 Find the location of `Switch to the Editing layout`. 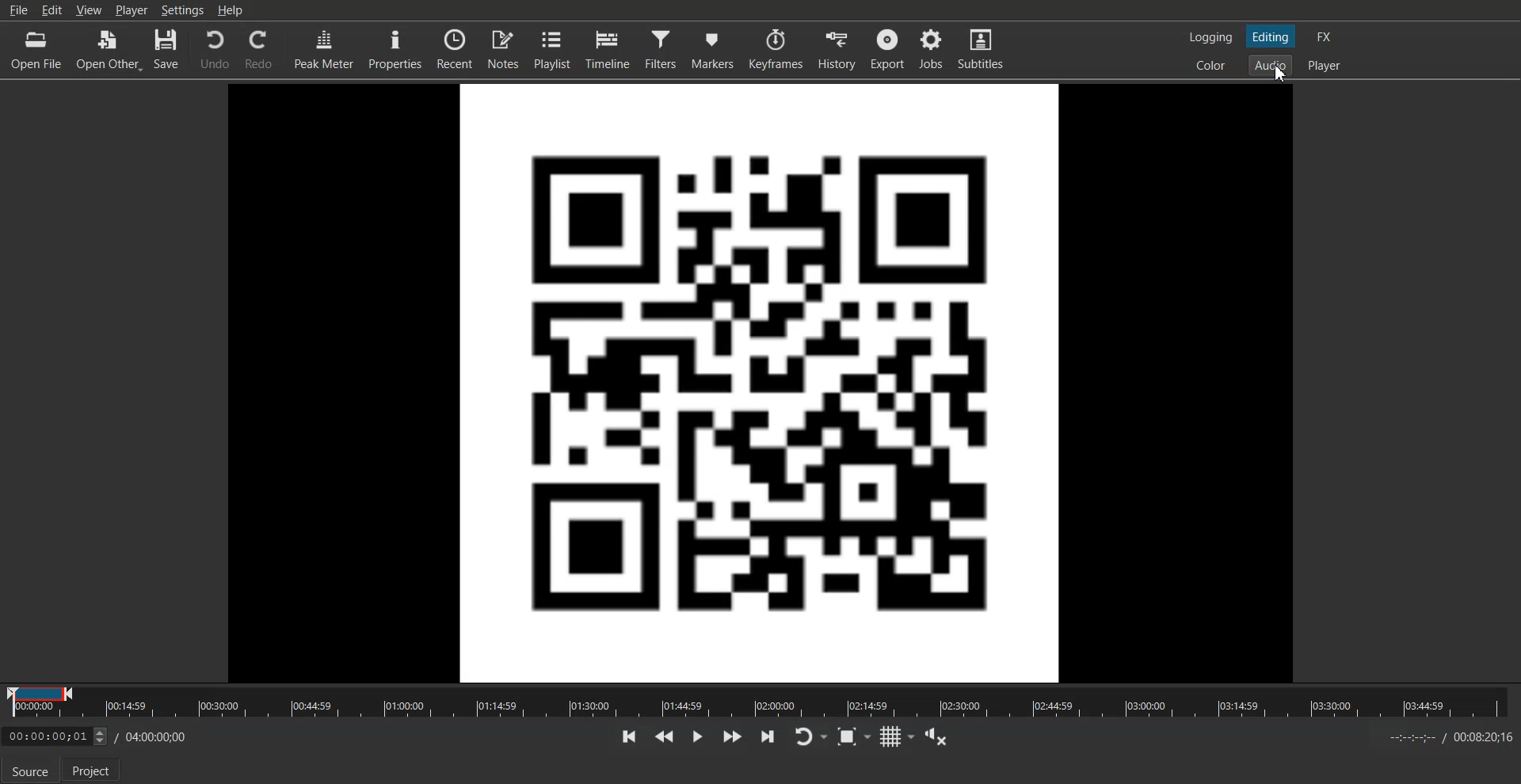

Switch to the Editing layout is located at coordinates (1271, 36).